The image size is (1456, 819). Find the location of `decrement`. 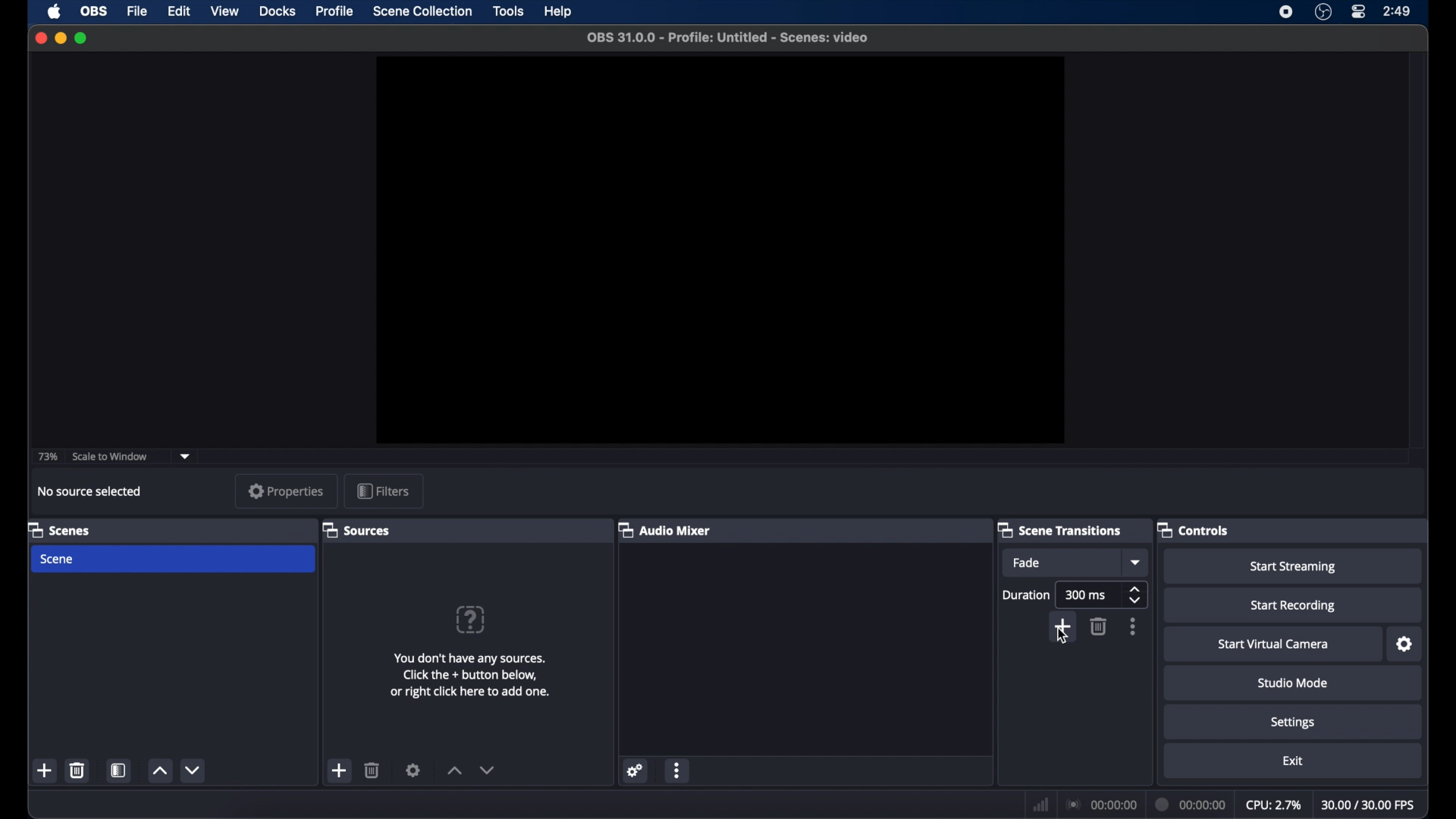

decrement is located at coordinates (488, 770).